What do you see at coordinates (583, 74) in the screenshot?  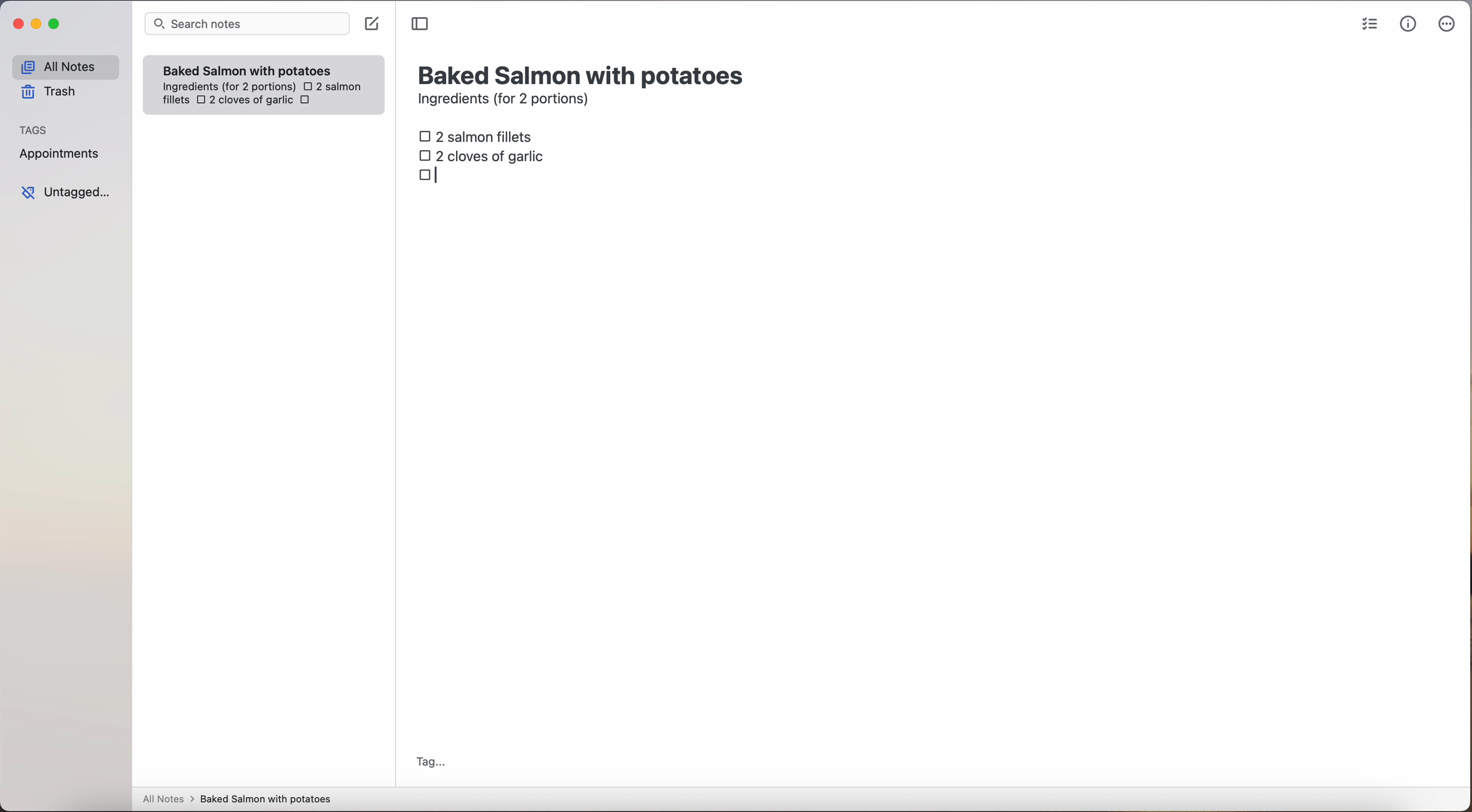 I see `title` at bounding box center [583, 74].